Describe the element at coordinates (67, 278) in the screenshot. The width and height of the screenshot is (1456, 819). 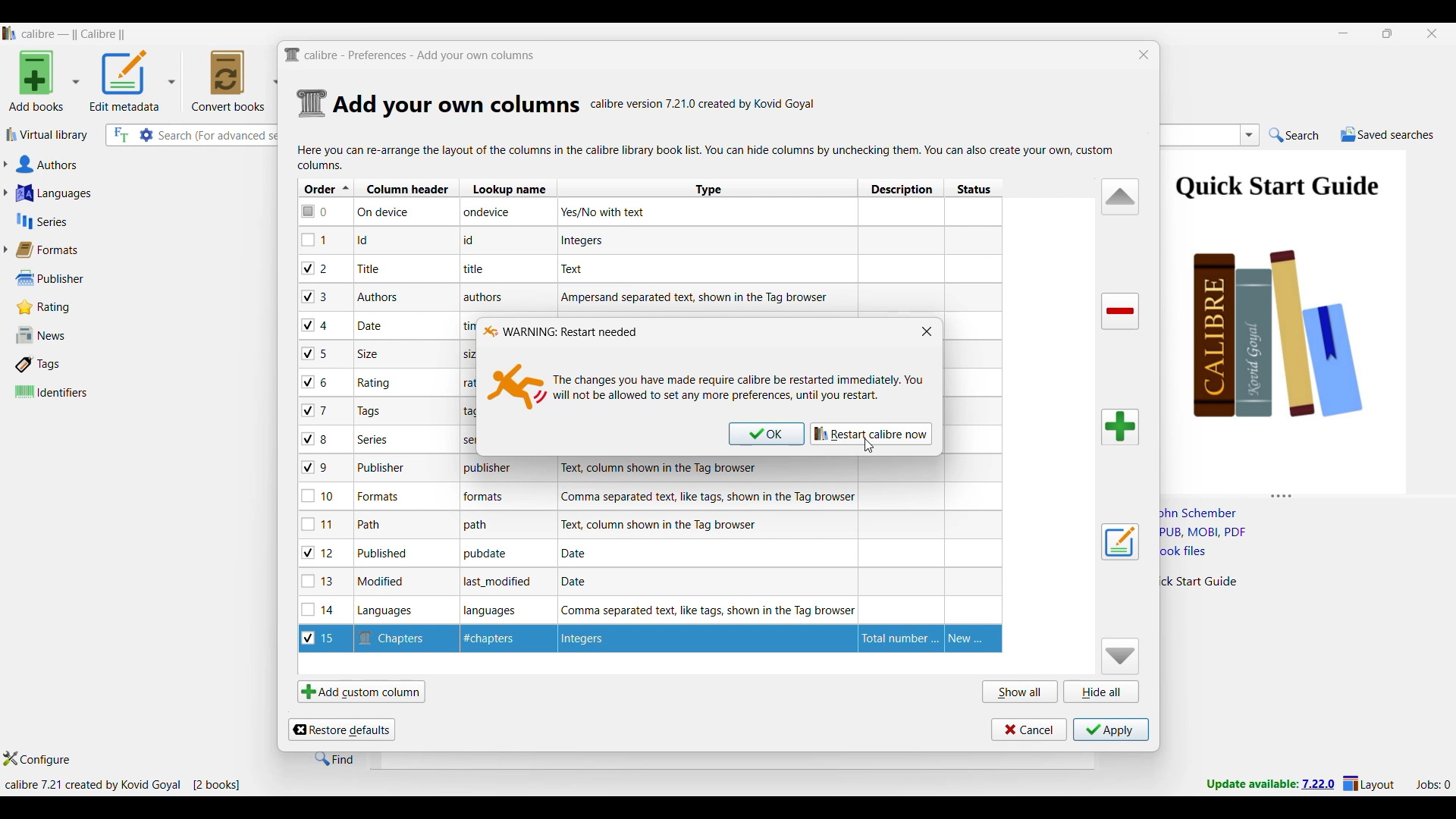
I see `Publisher` at that location.